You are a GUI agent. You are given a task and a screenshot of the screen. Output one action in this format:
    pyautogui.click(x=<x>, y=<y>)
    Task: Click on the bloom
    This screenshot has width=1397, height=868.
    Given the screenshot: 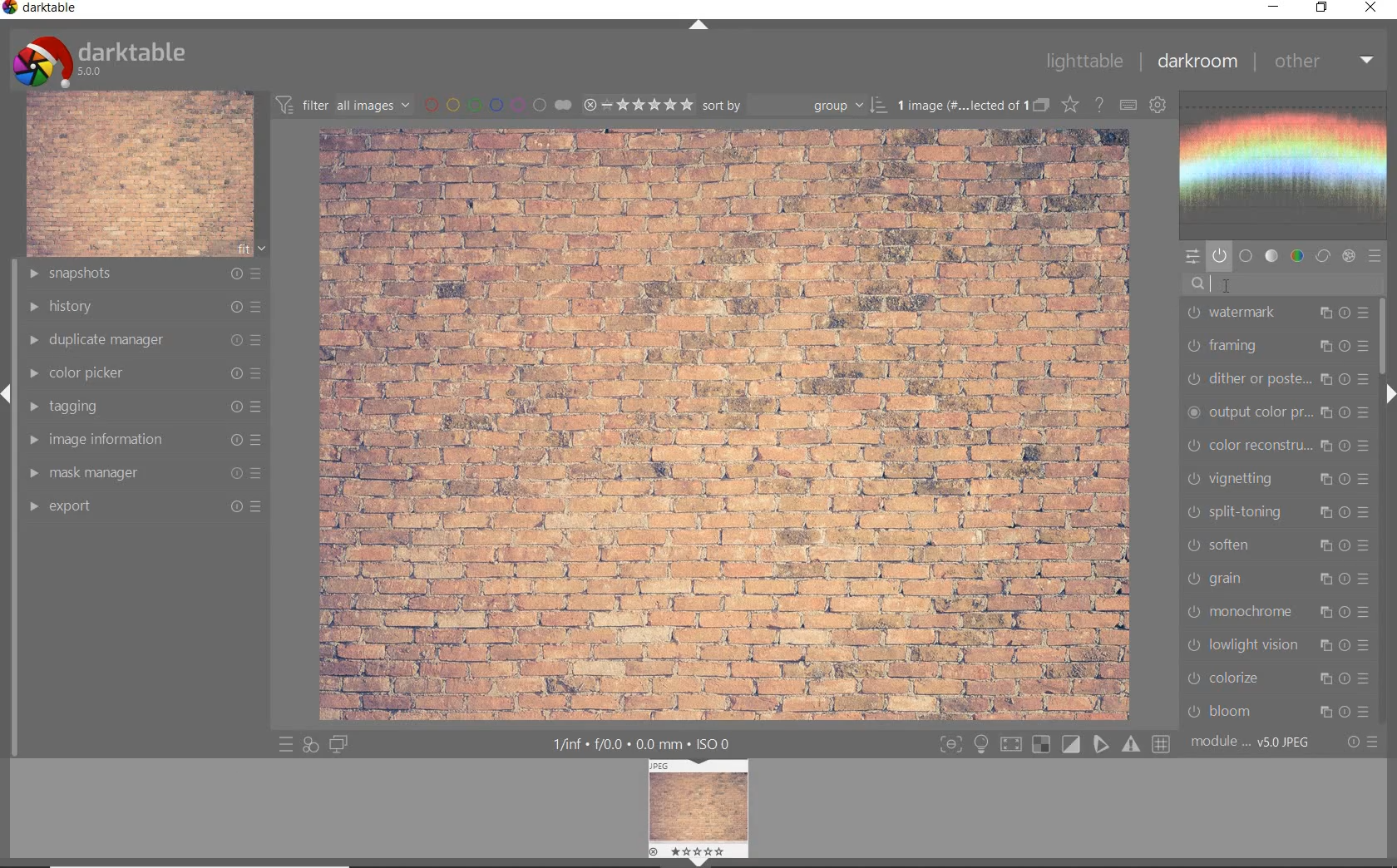 What is the action you would take?
    pyautogui.click(x=1277, y=713)
    